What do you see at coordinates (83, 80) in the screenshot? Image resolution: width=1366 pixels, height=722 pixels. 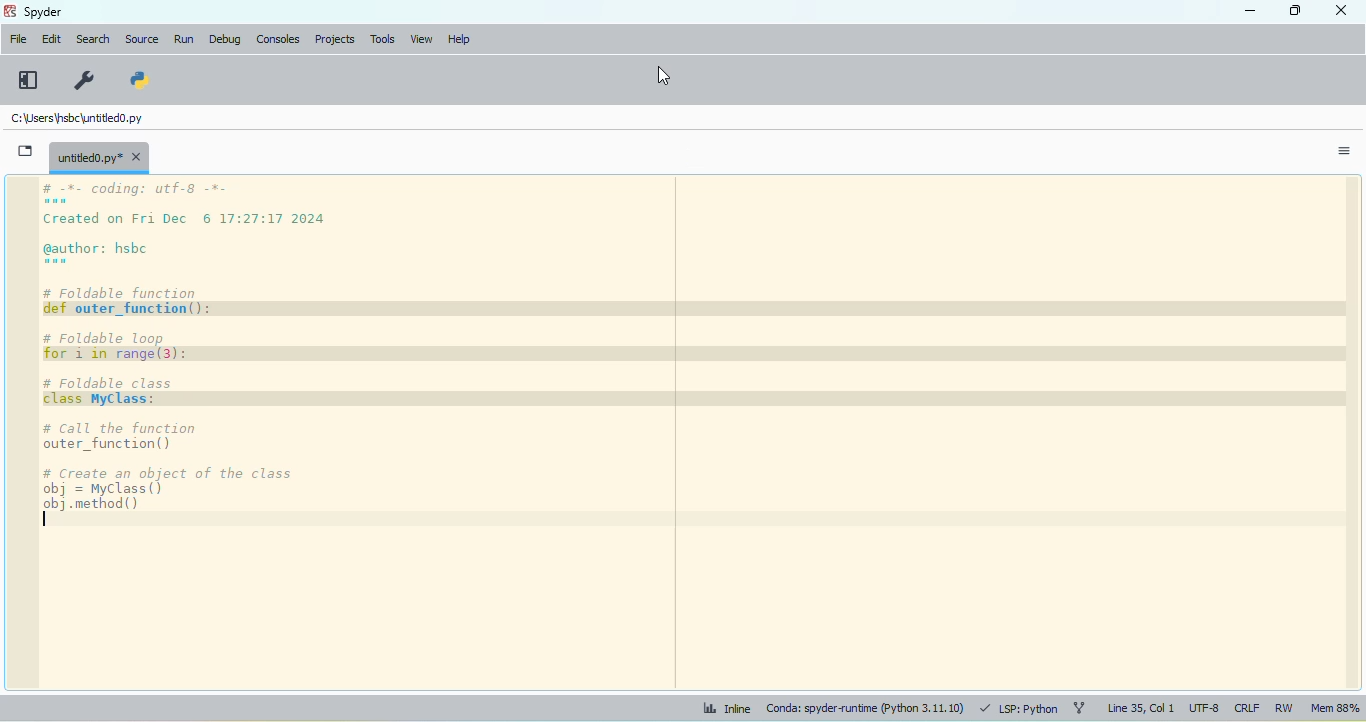 I see `preferences` at bounding box center [83, 80].